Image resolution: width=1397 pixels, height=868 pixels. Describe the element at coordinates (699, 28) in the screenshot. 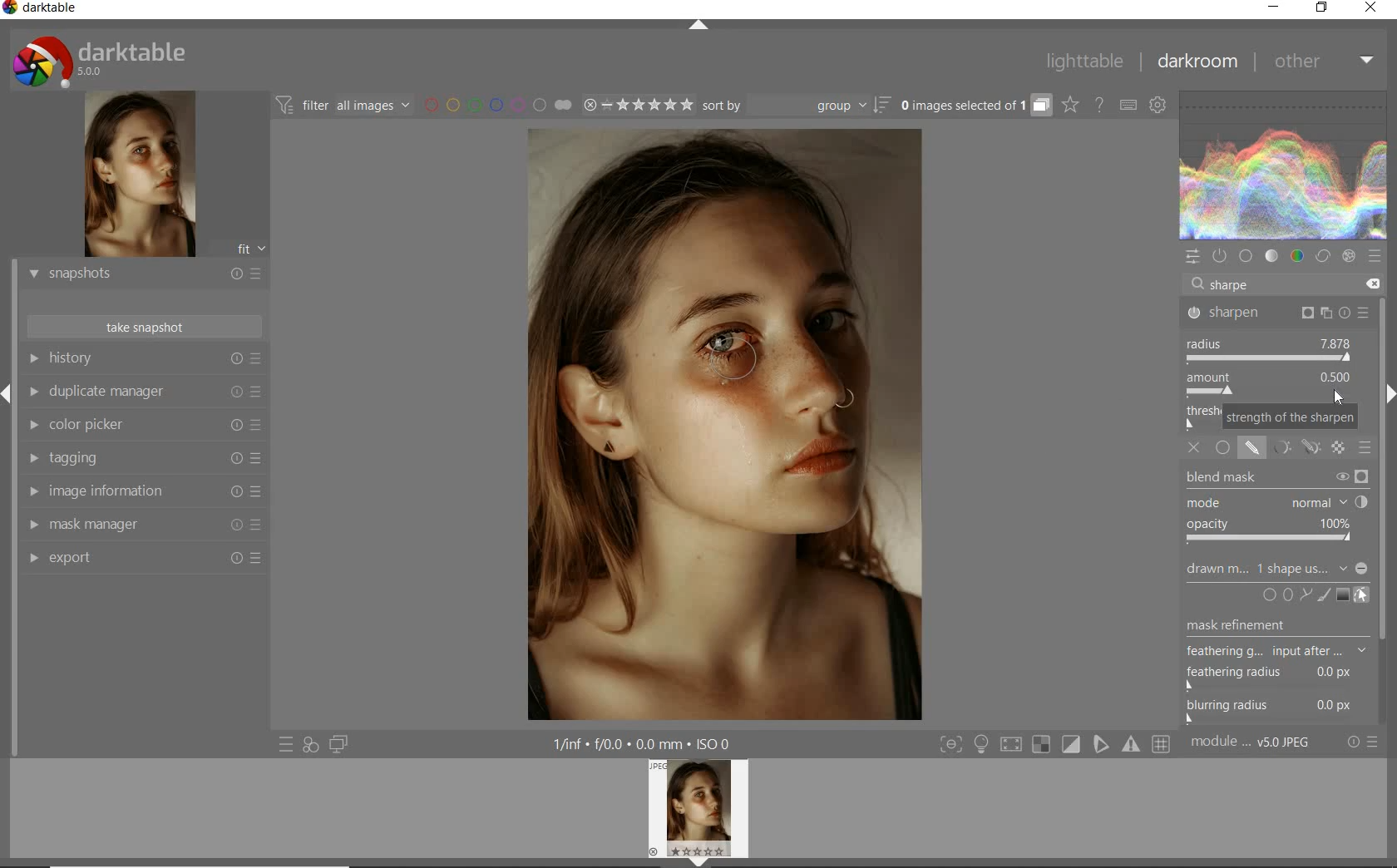

I see `expand/collapse` at that location.